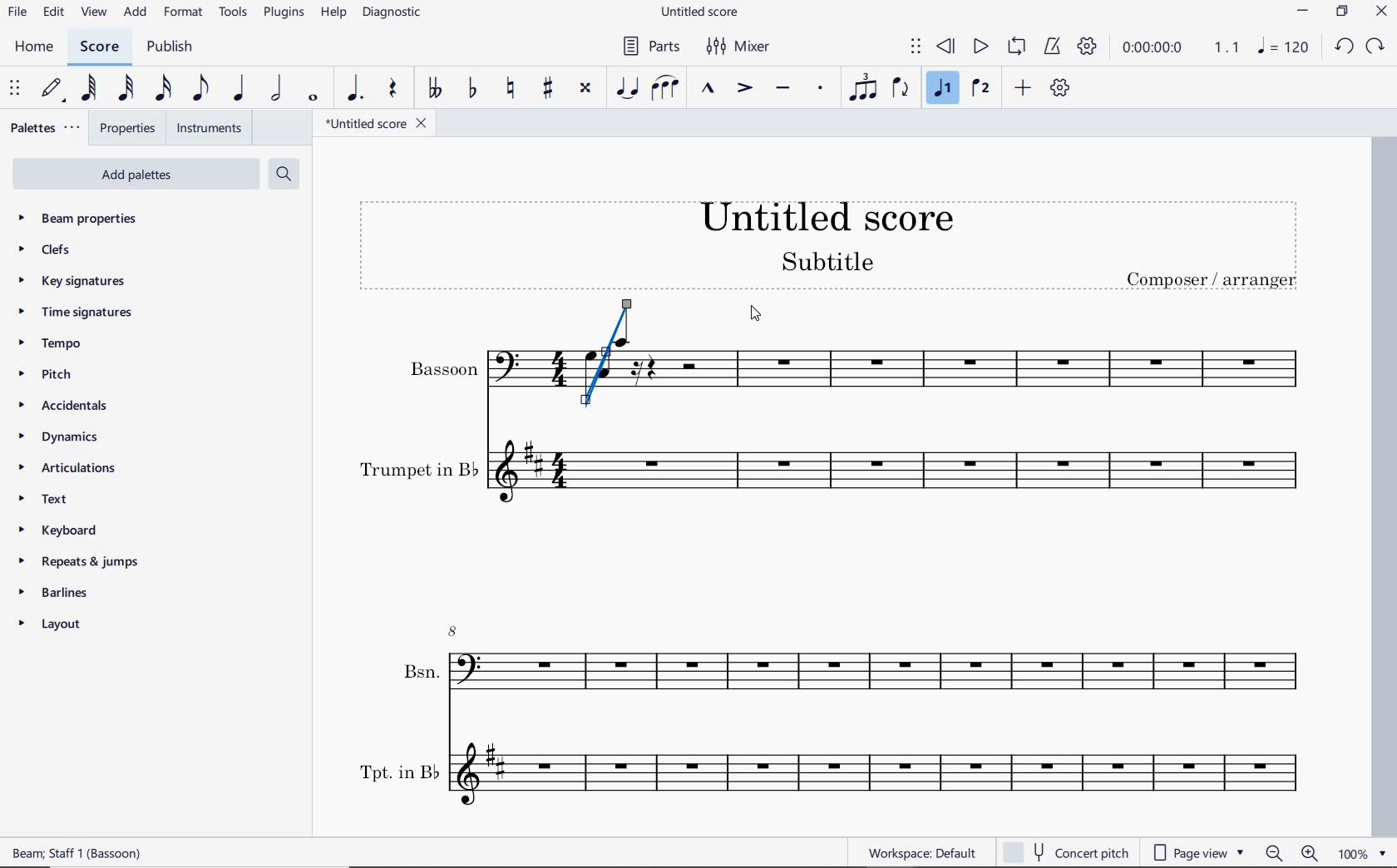 The width and height of the screenshot is (1397, 868). Describe the element at coordinates (88, 218) in the screenshot. I see `beam properties` at that location.